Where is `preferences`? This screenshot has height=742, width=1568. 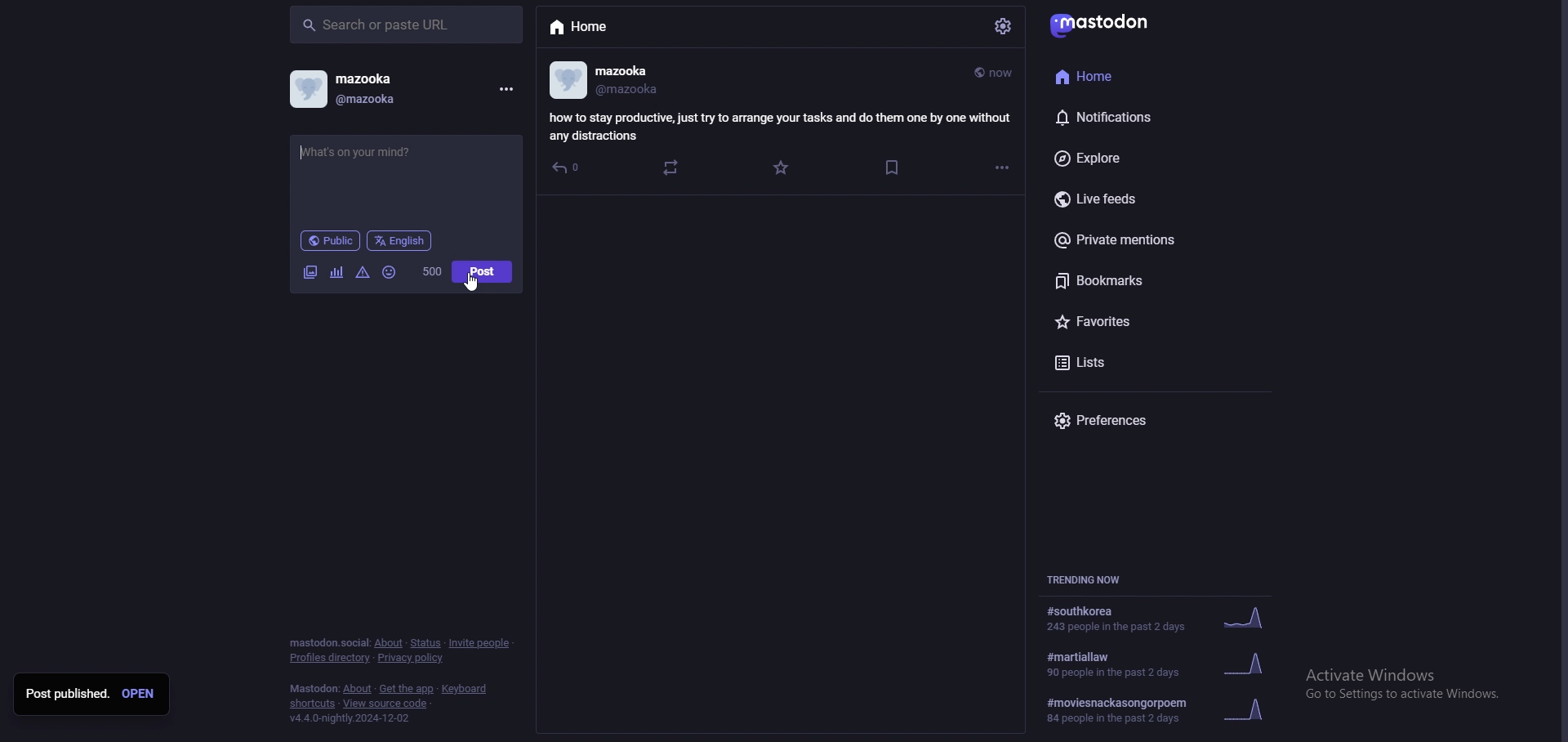
preferences is located at coordinates (1111, 419).